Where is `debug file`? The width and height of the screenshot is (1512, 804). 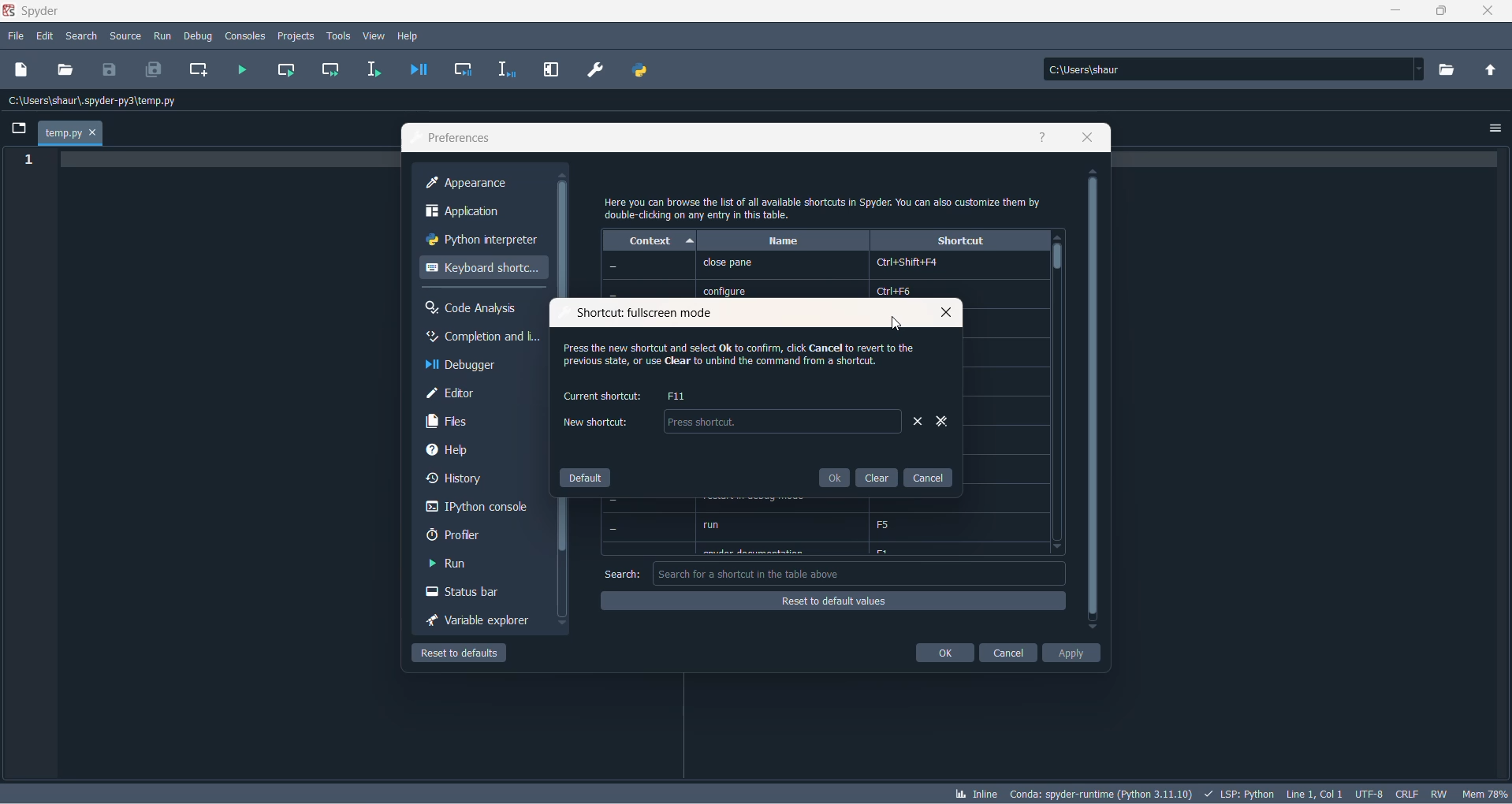 debug file is located at coordinates (415, 71).